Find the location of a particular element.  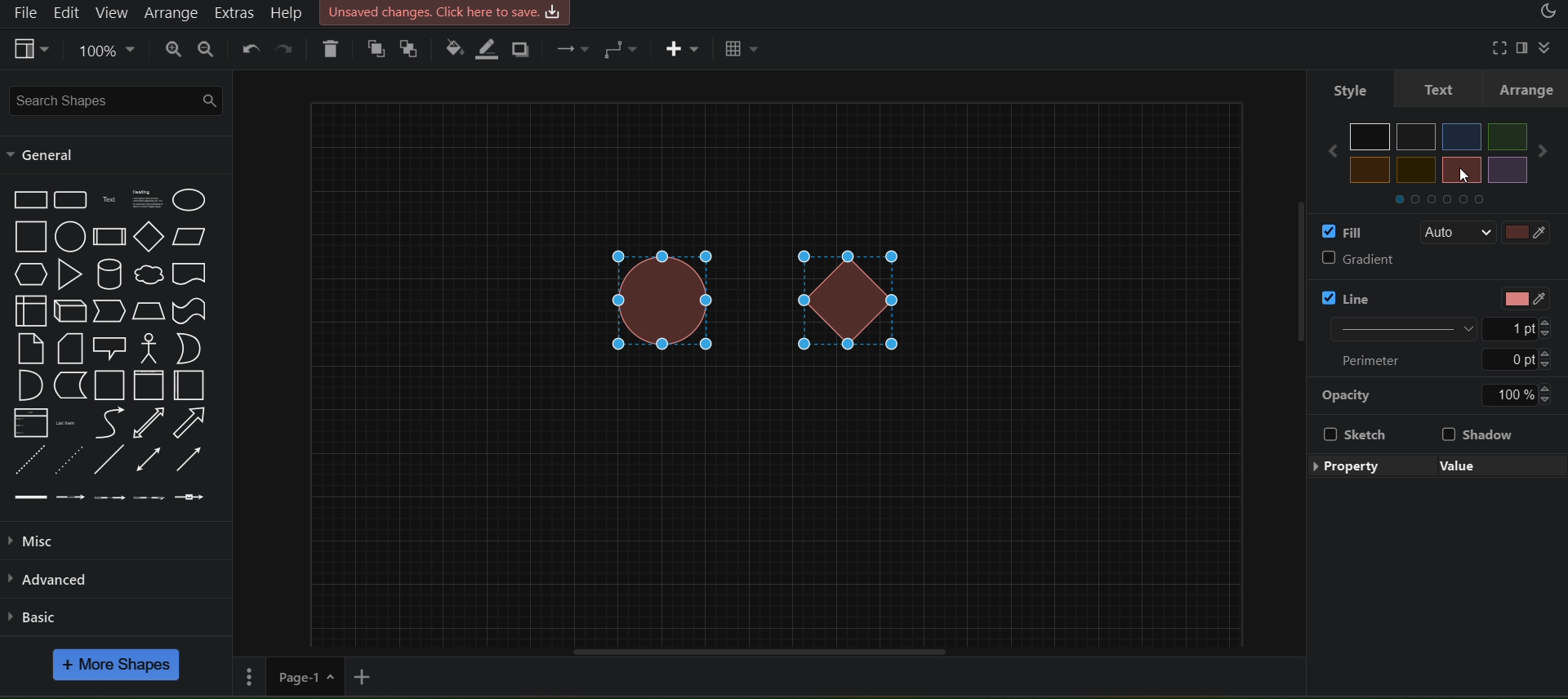

Hexagon is located at coordinates (29, 275).